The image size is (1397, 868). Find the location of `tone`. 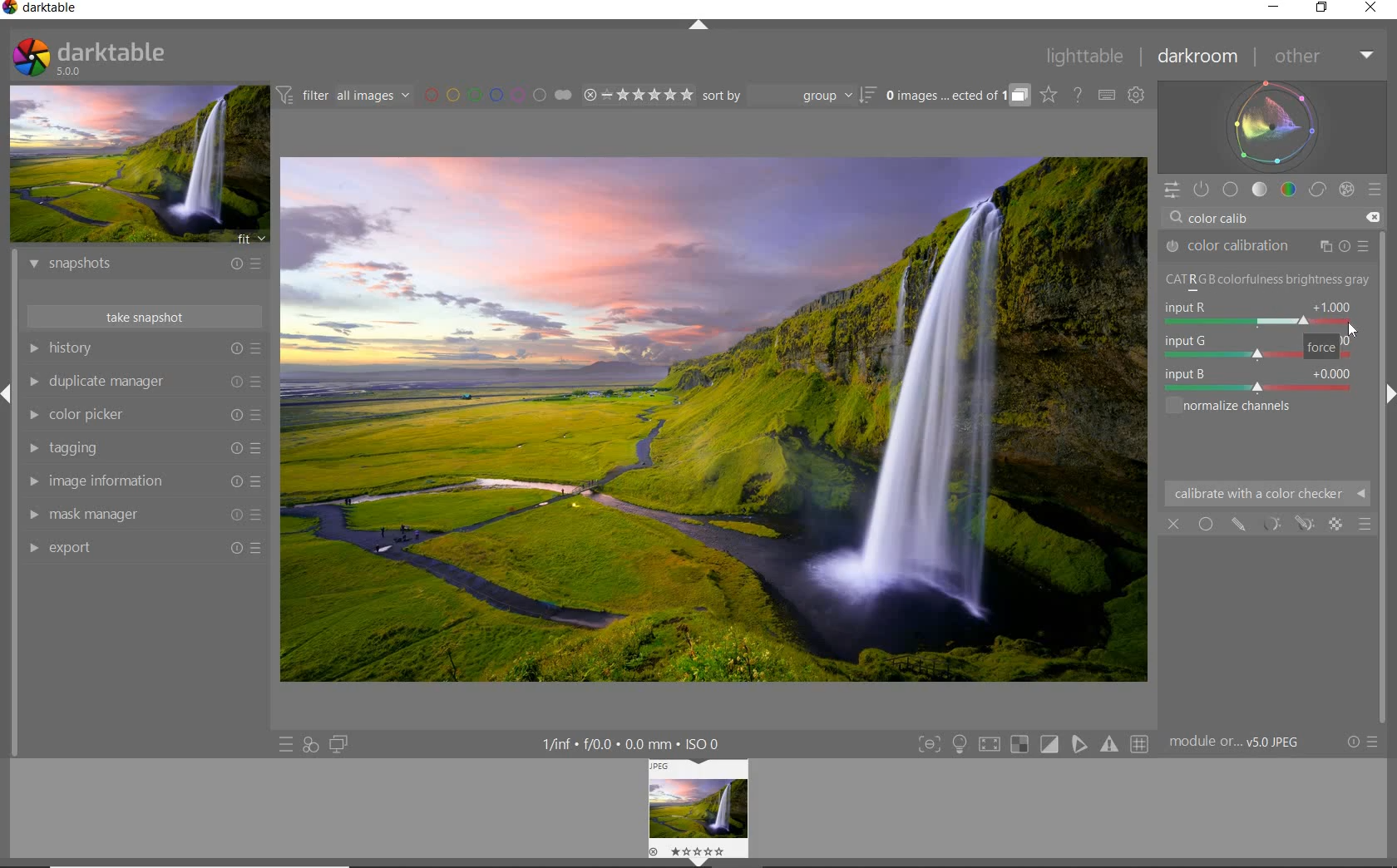

tone is located at coordinates (1260, 190).